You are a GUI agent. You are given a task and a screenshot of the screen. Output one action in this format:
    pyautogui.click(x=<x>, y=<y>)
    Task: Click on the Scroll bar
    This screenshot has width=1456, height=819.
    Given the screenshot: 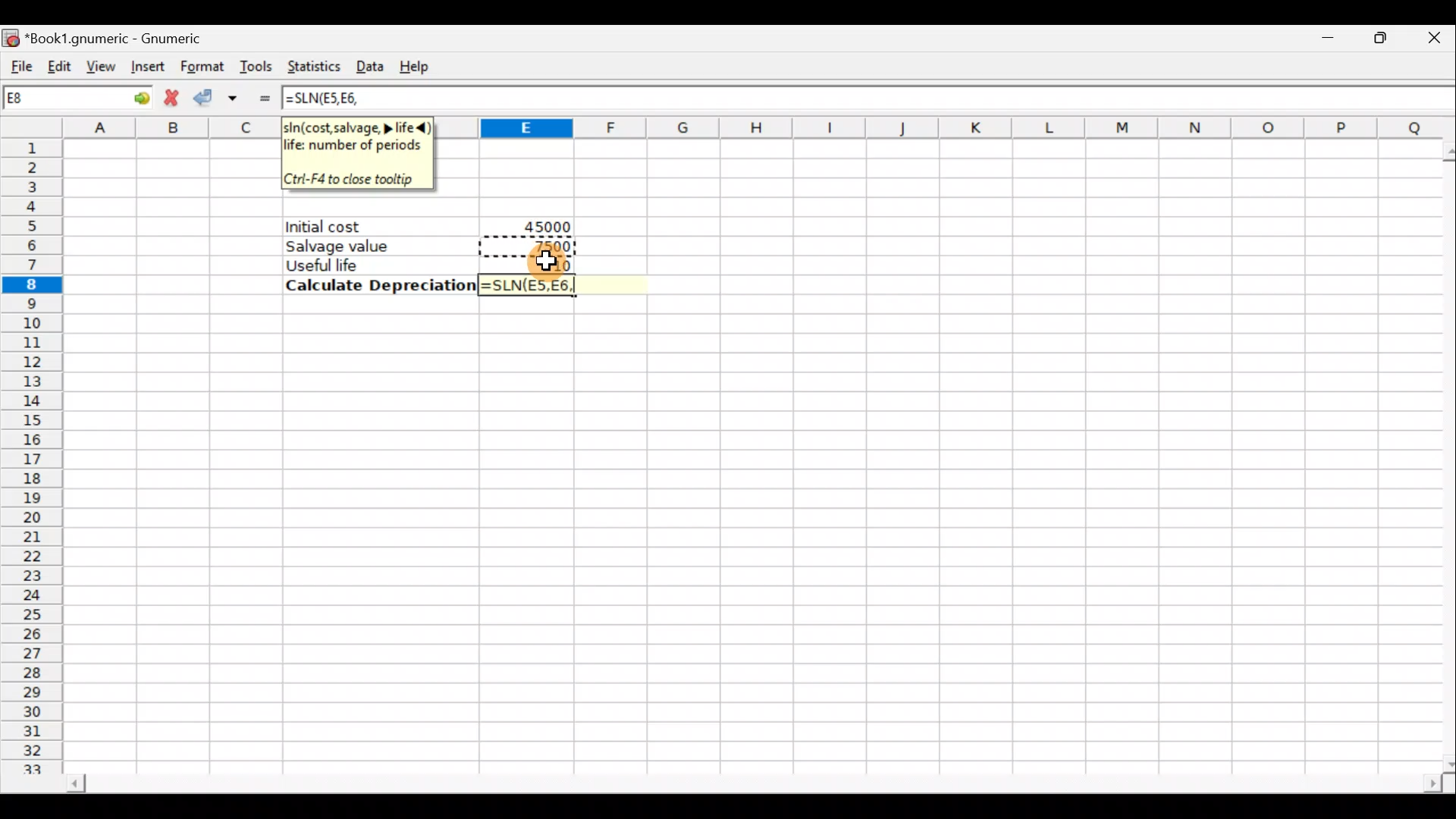 What is the action you would take?
    pyautogui.click(x=1442, y=452)
    